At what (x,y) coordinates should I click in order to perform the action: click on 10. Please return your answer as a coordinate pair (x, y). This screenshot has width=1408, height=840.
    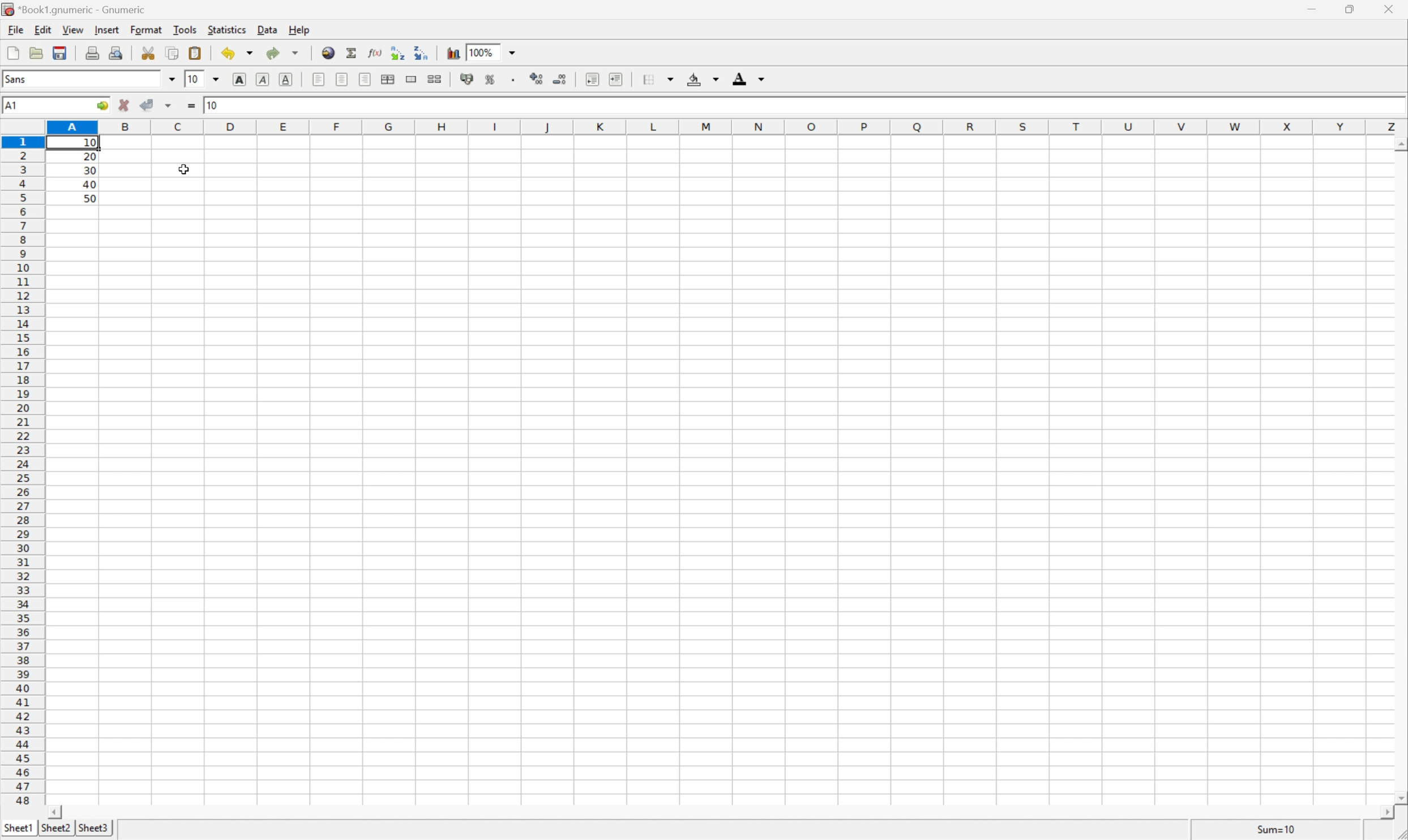
    Looking at the image, I should click on (89, 143).